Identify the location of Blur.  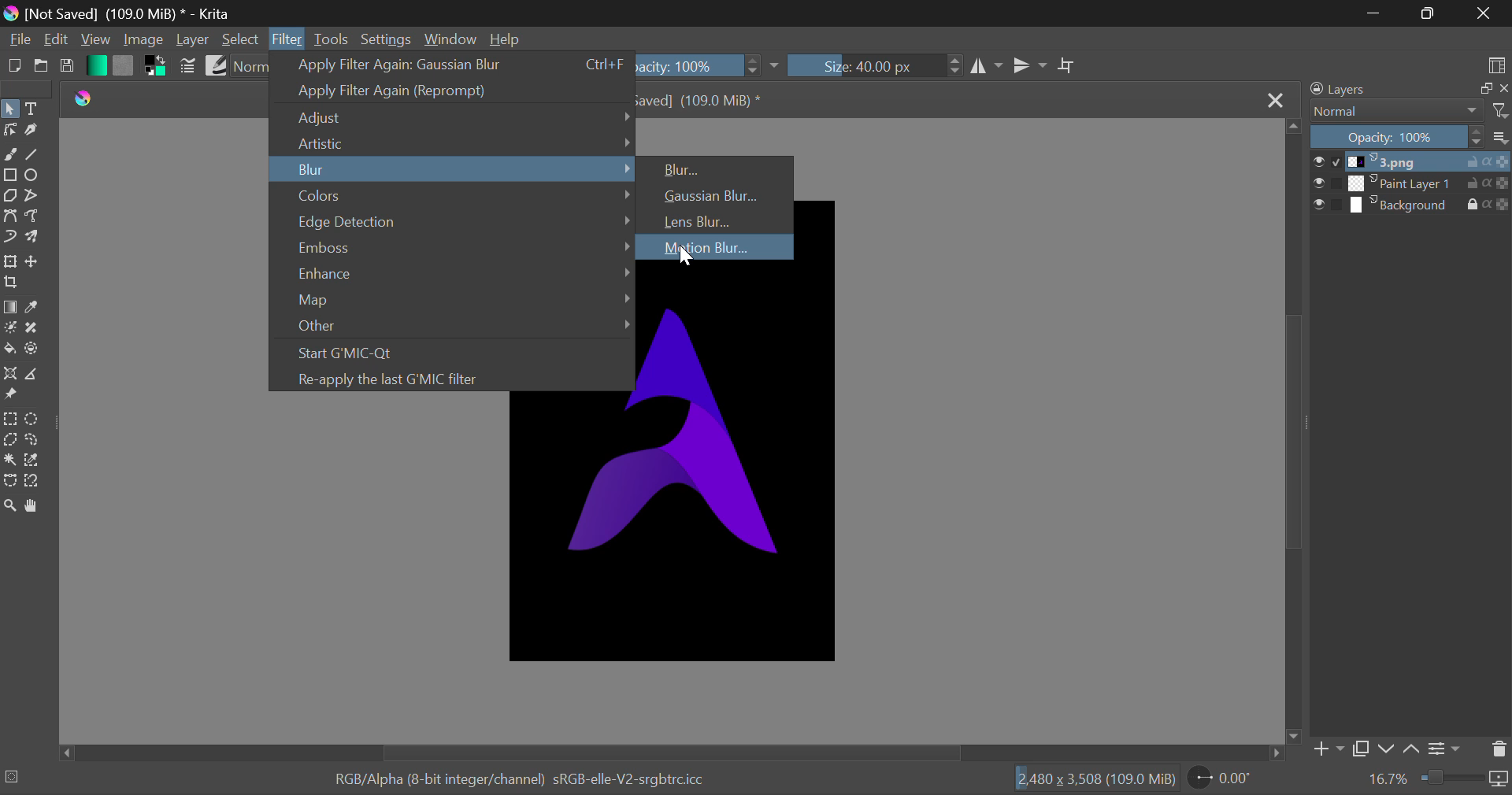
(717, 167).